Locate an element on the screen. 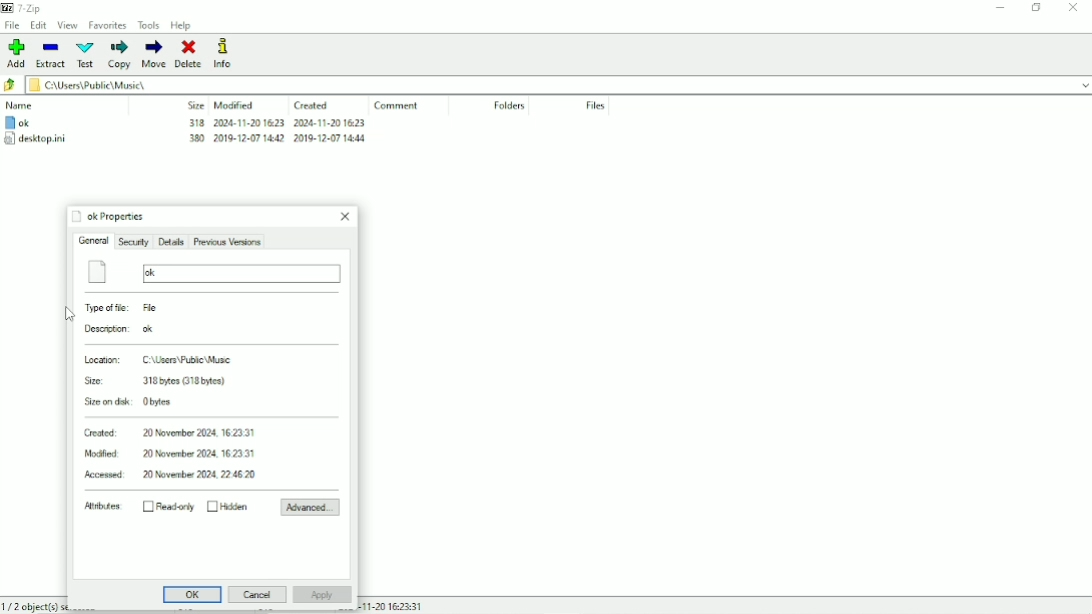  Created is located at coordinates (313, 105).